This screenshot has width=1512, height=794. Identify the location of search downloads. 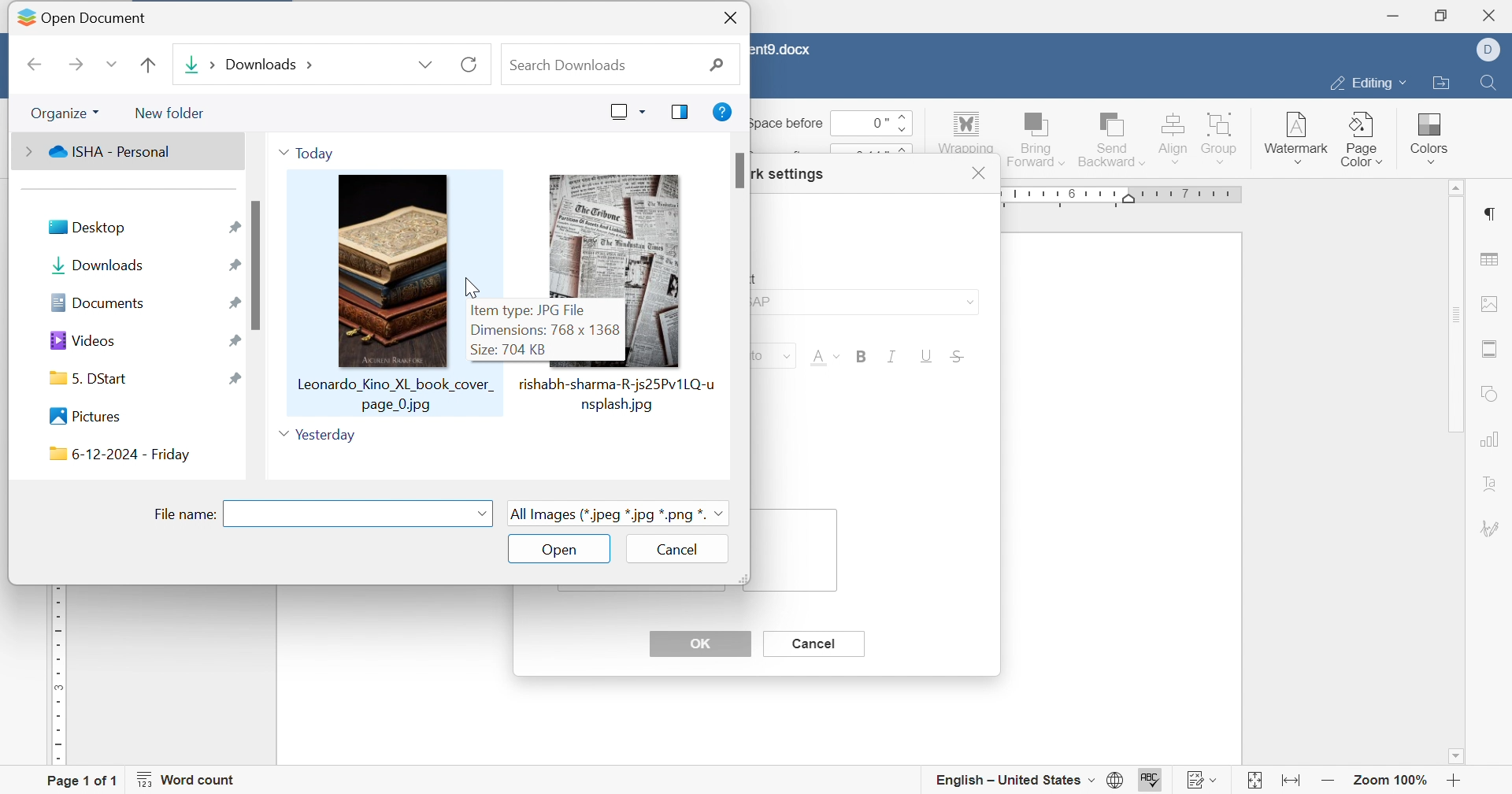
(617, 68).